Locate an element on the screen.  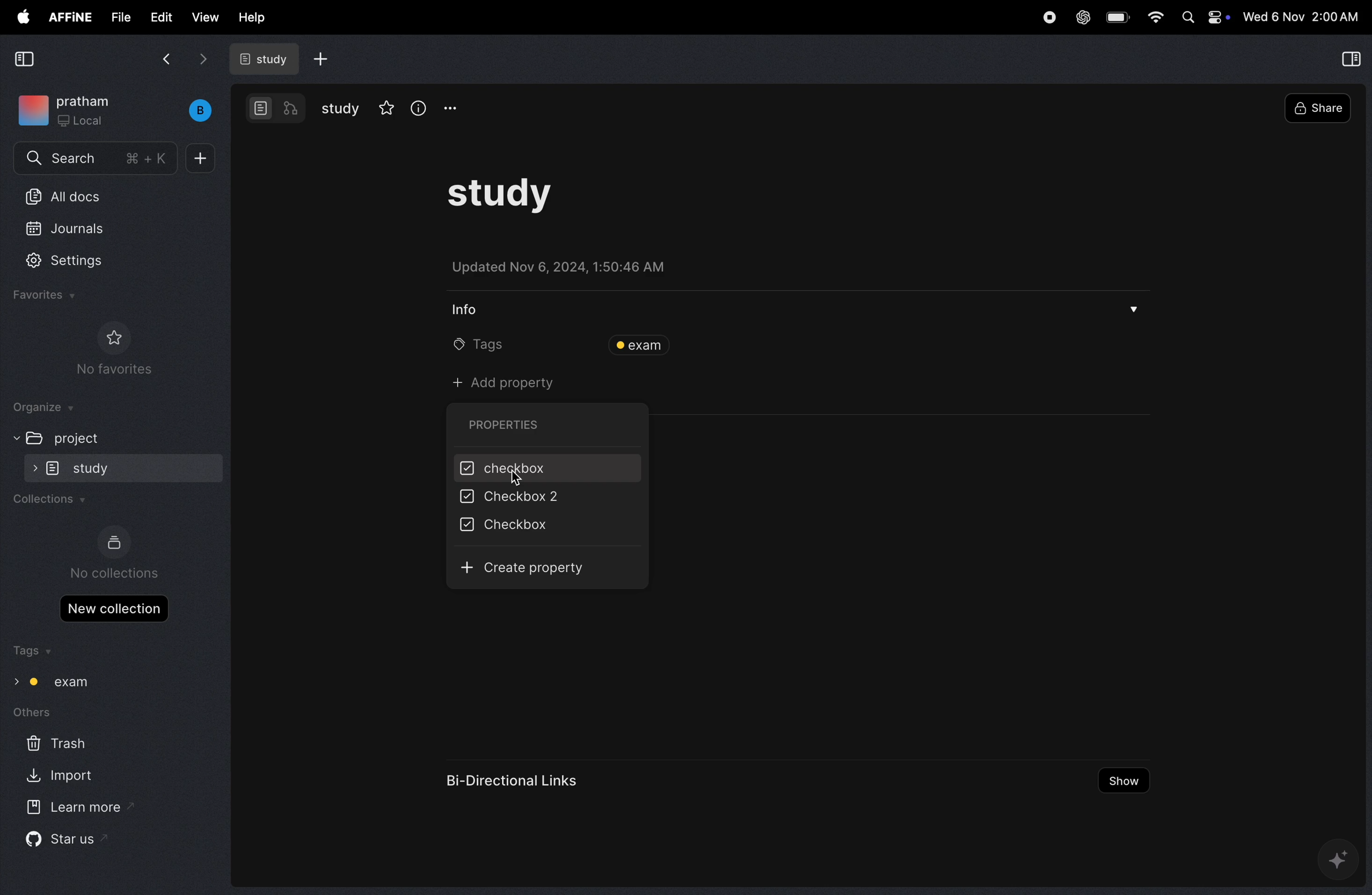
no favourites is located at coordinates (120, 348).